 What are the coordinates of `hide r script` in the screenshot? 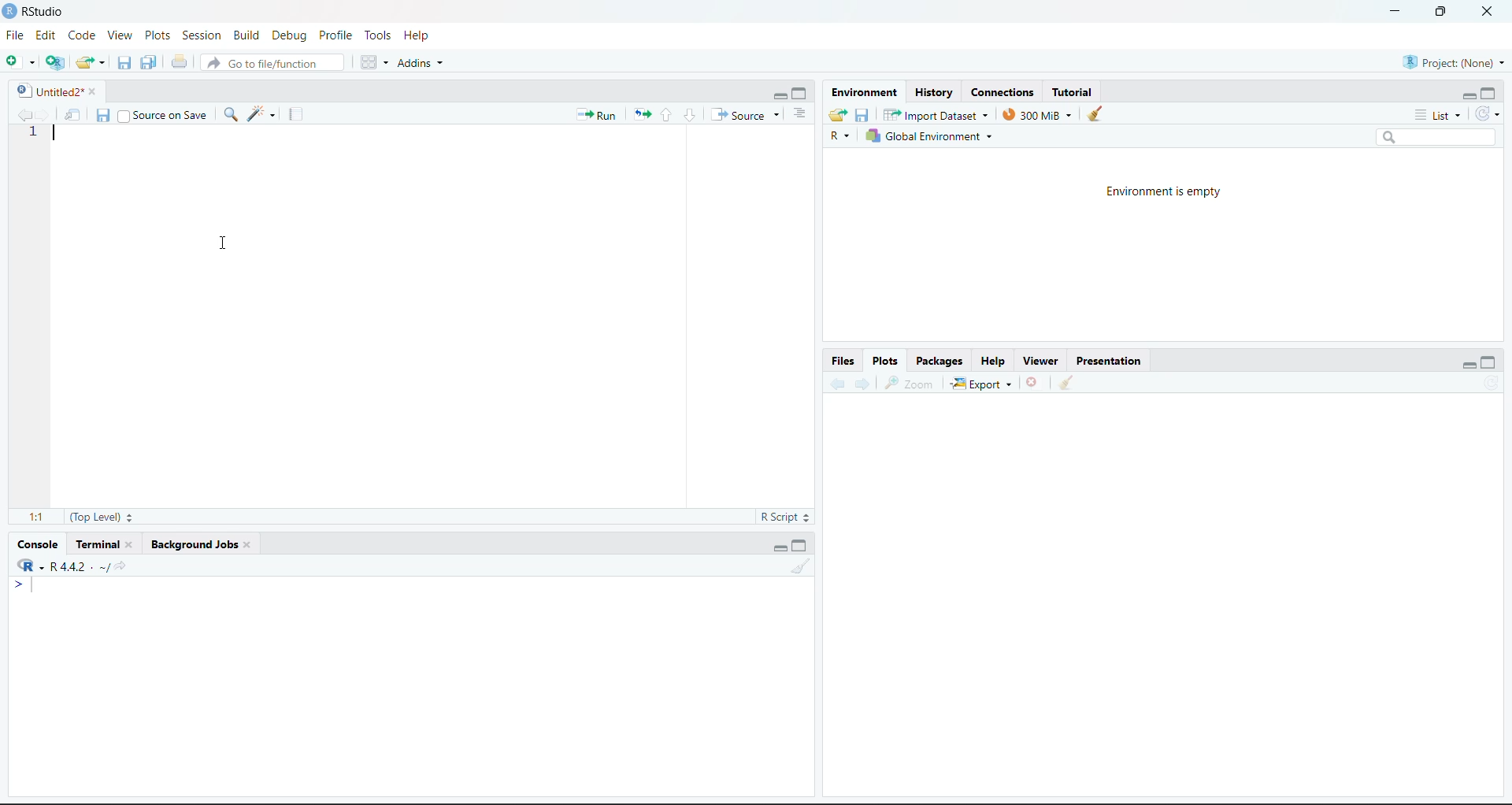 It's located at (776, 546).